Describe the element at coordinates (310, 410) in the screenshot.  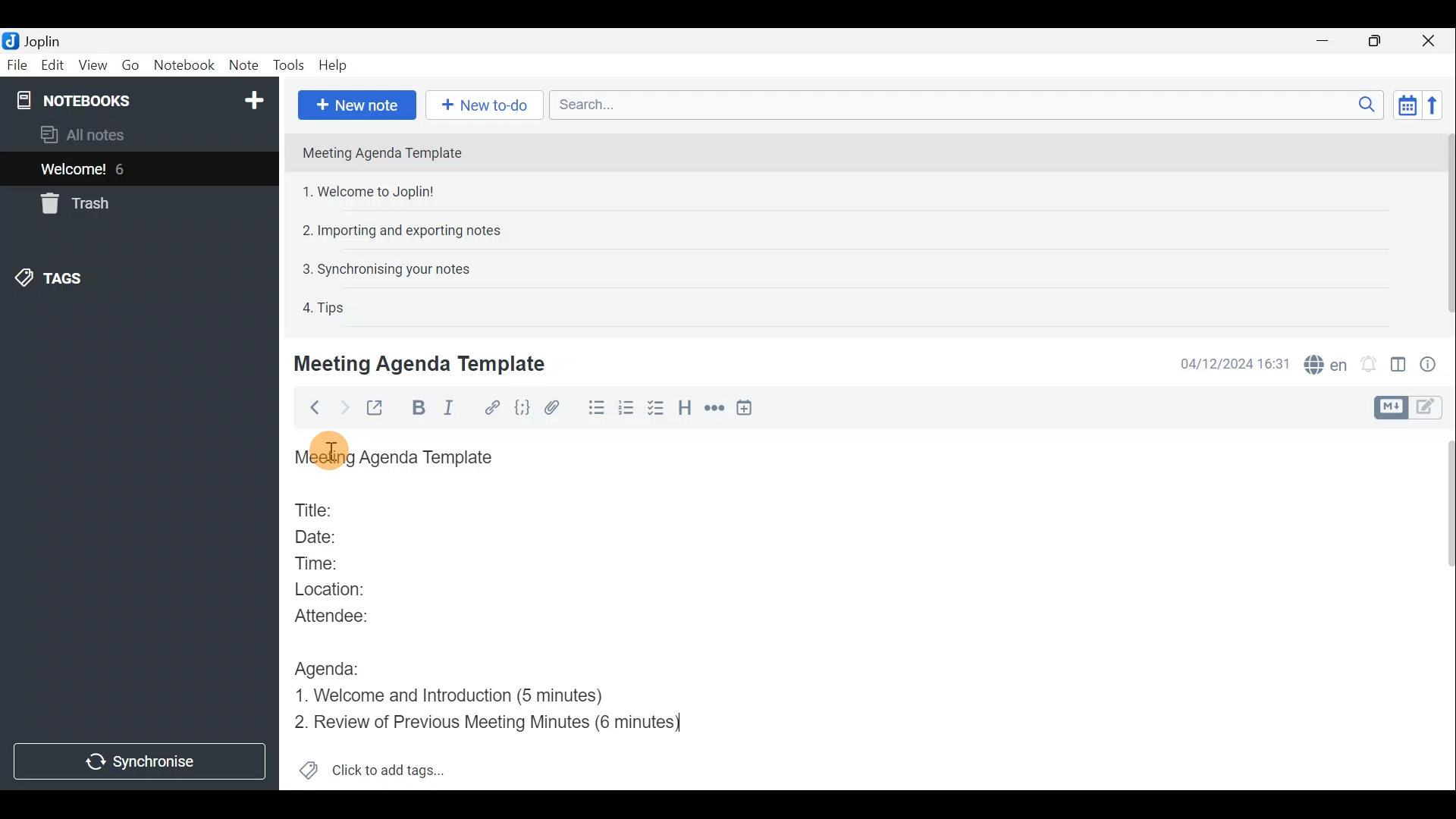
I see `Back` at that location.